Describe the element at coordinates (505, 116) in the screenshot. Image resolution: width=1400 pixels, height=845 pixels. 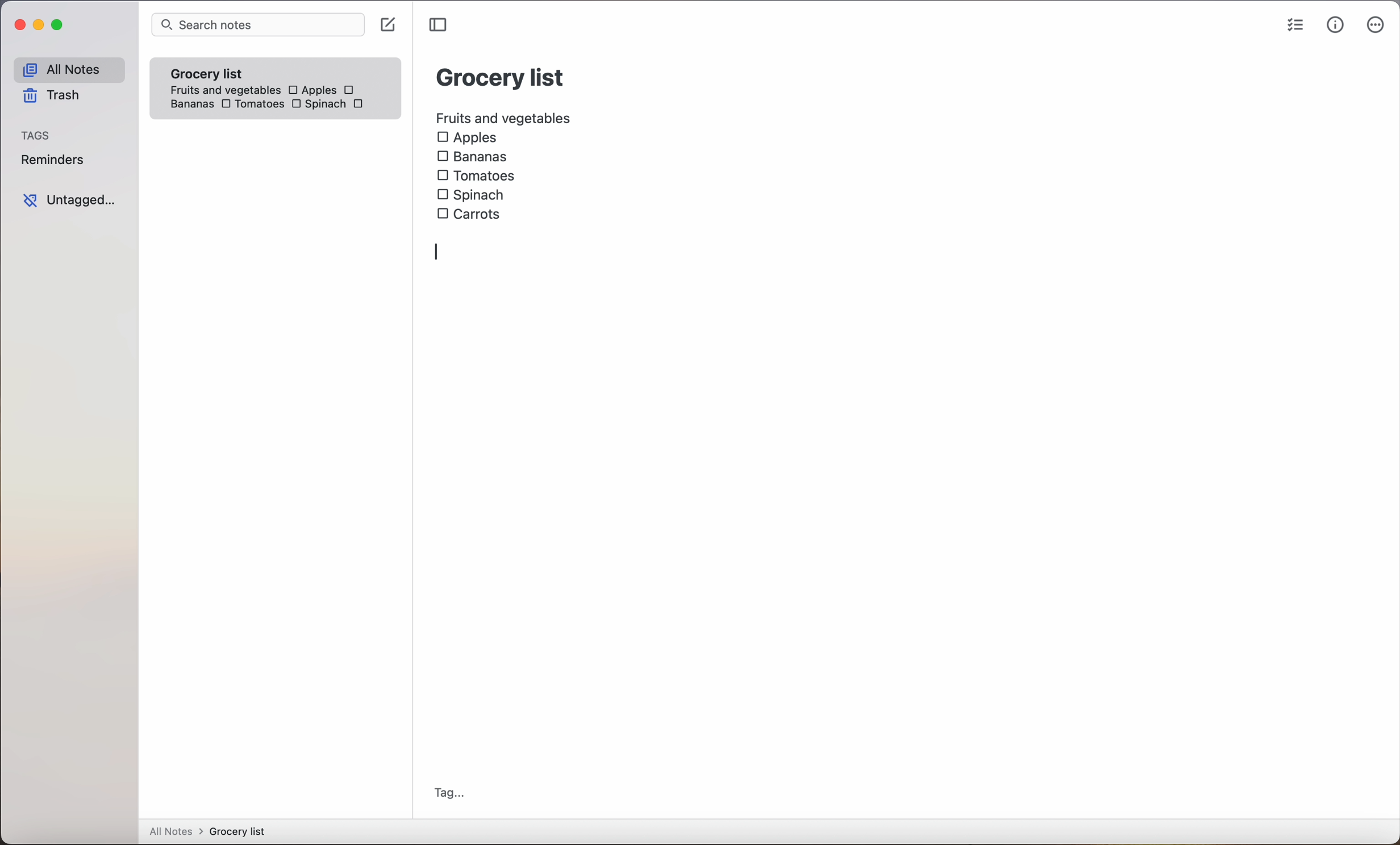
I see `fruits and vegetables` at that location.